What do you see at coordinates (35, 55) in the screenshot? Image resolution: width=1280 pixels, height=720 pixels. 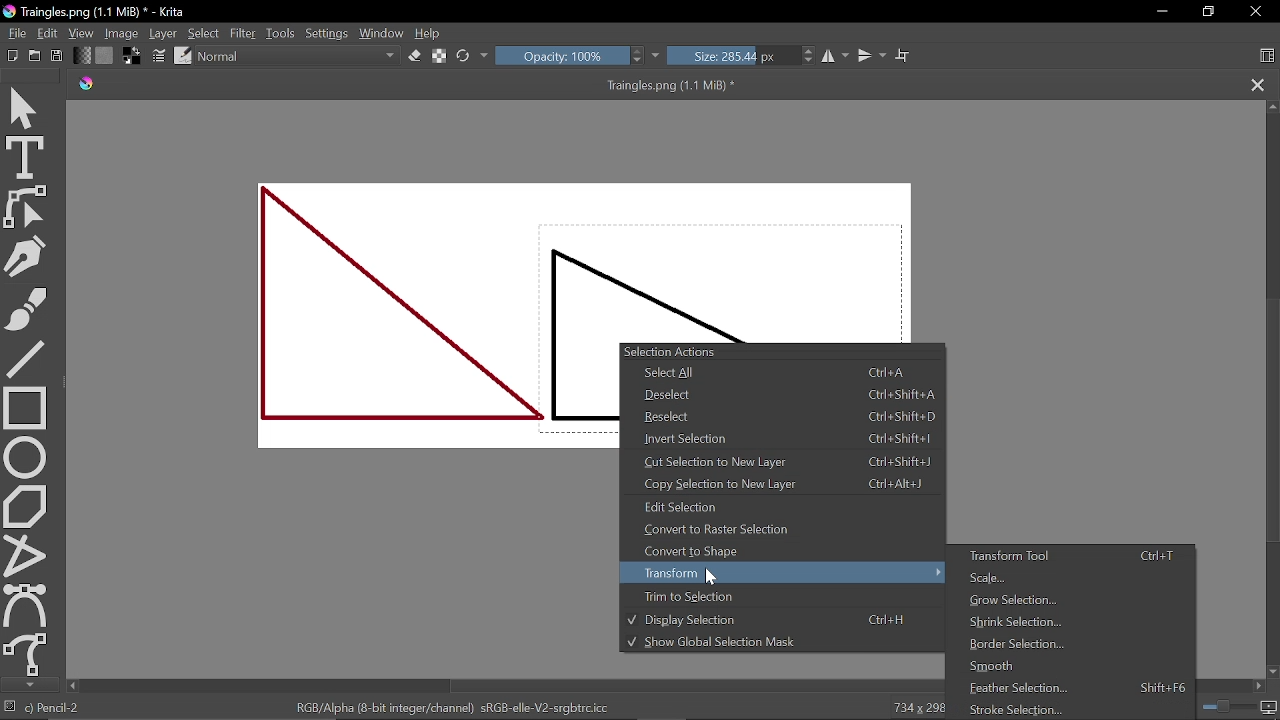 I see `Create new file` at bounding box center [35, 55].